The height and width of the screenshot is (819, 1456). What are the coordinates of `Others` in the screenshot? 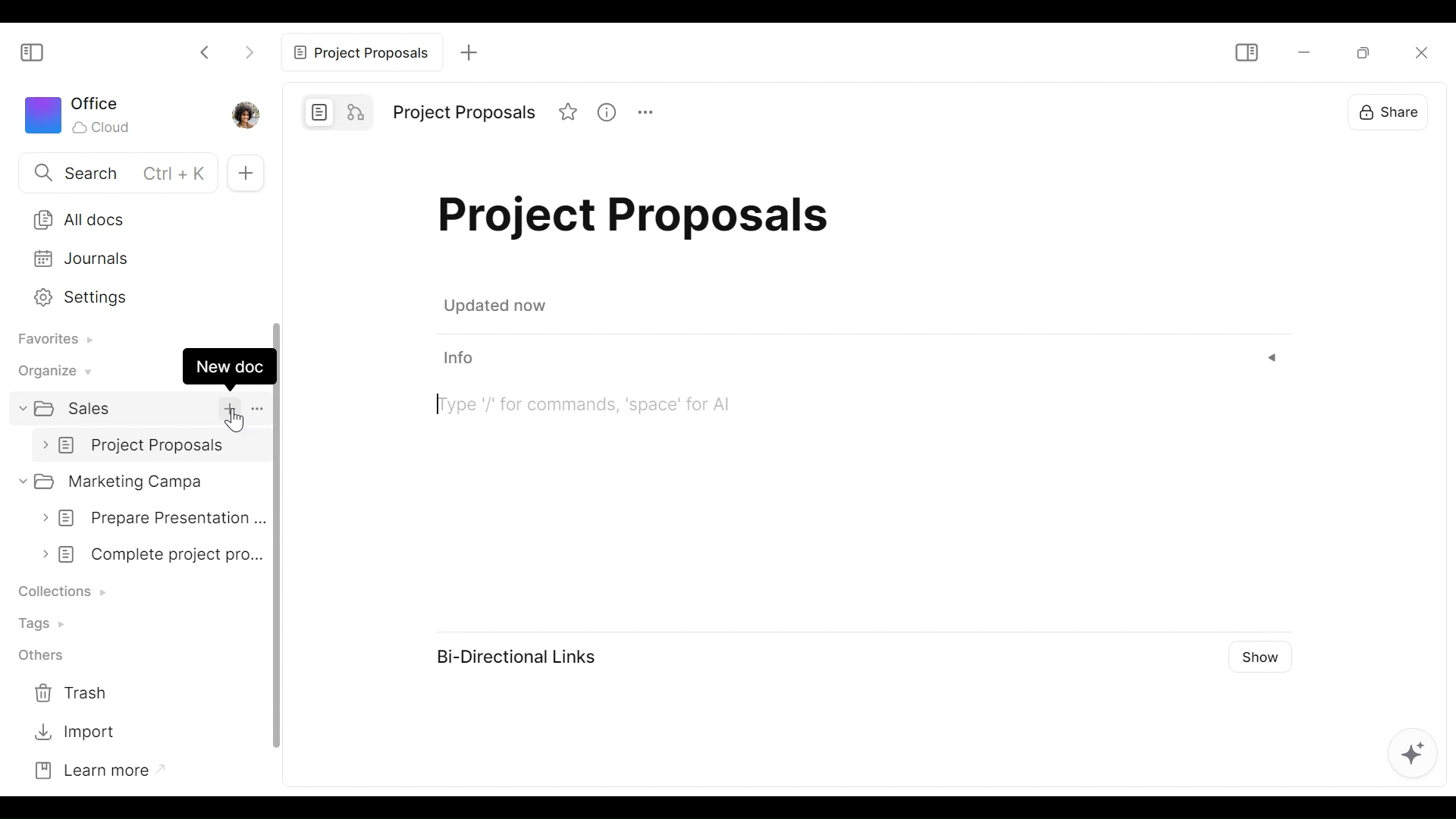 It's located at (46, 655).